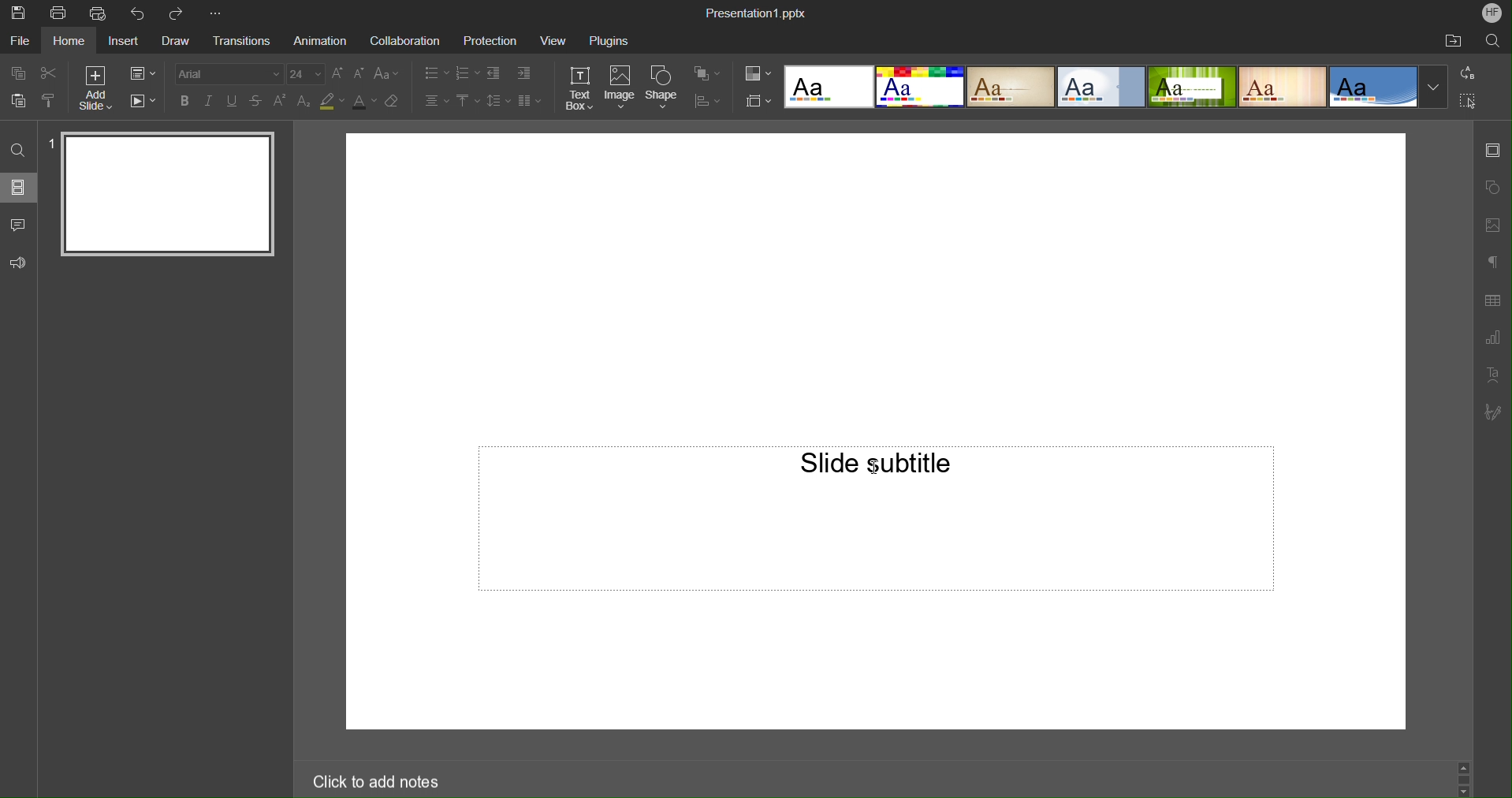 This screenshot has height=798, width=1512. What do you see at coordinates (918, 87) in the screenshot?
I see `template` at bounding box center [918, 87].